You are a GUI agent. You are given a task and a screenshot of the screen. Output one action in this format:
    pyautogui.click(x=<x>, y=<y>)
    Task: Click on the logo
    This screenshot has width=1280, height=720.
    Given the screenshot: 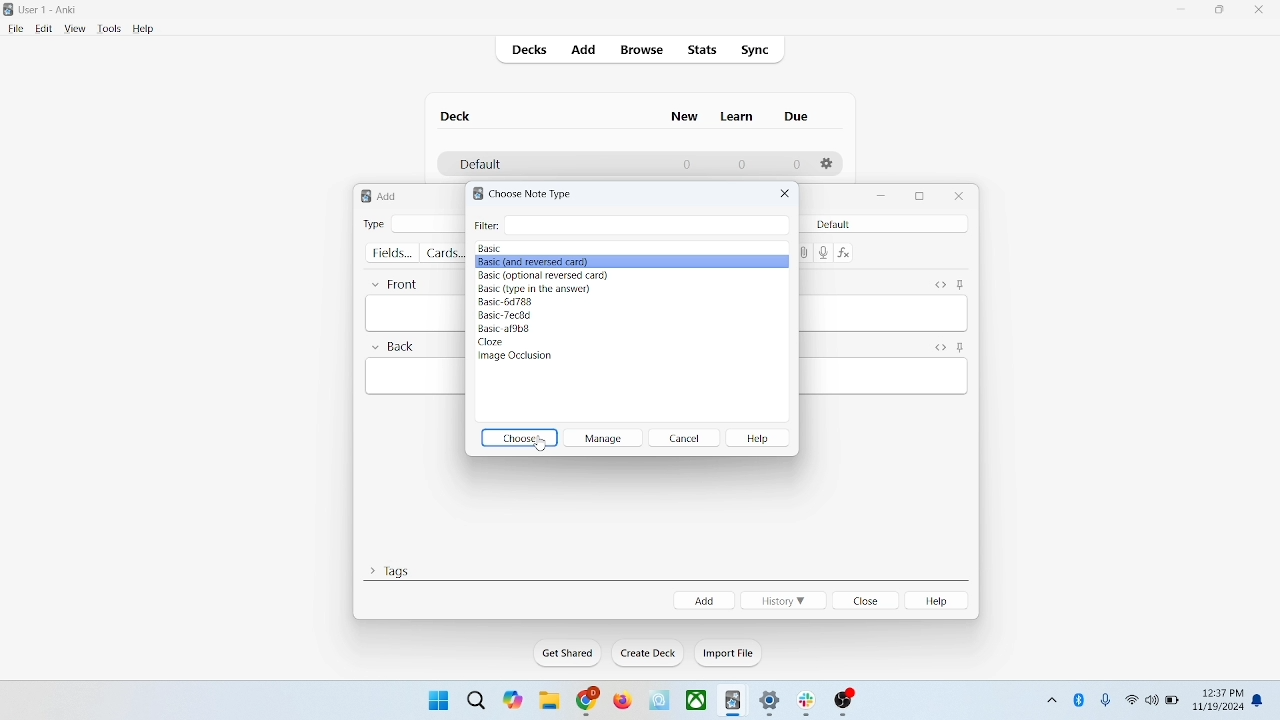 What is the action you would take?
    pyautogui.click(x=476, y=194)
    